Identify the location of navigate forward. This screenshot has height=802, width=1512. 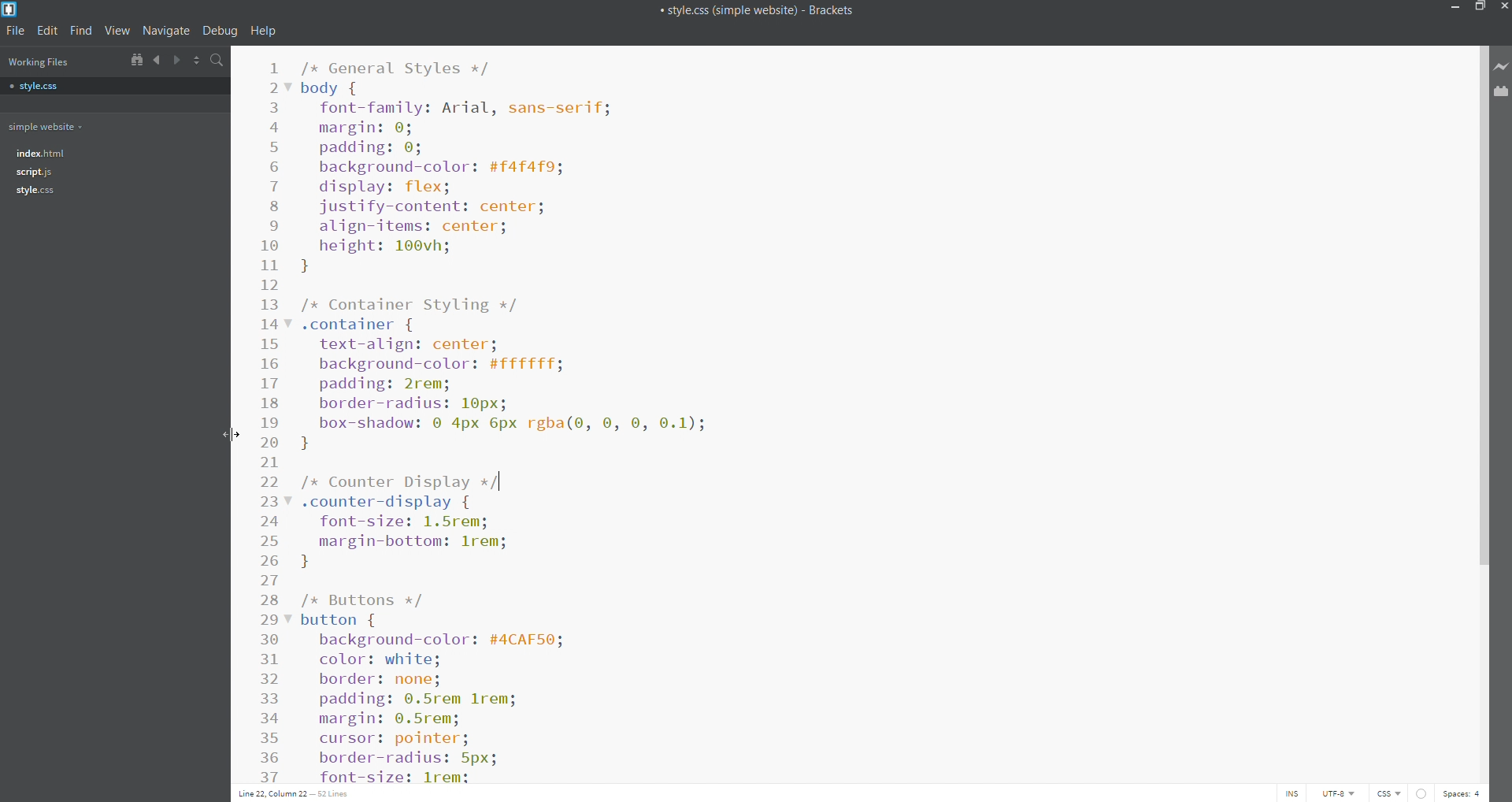
(176, 60).